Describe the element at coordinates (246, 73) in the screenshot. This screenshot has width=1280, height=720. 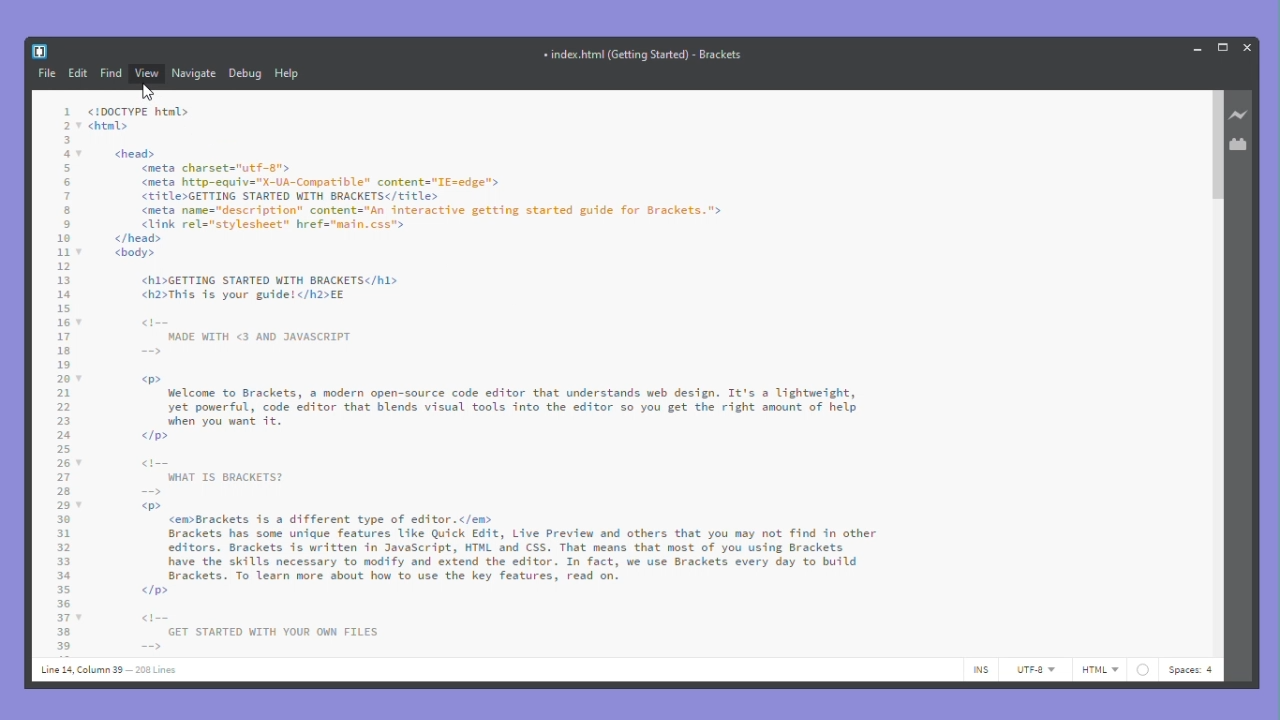
I see `Debug` at that location.